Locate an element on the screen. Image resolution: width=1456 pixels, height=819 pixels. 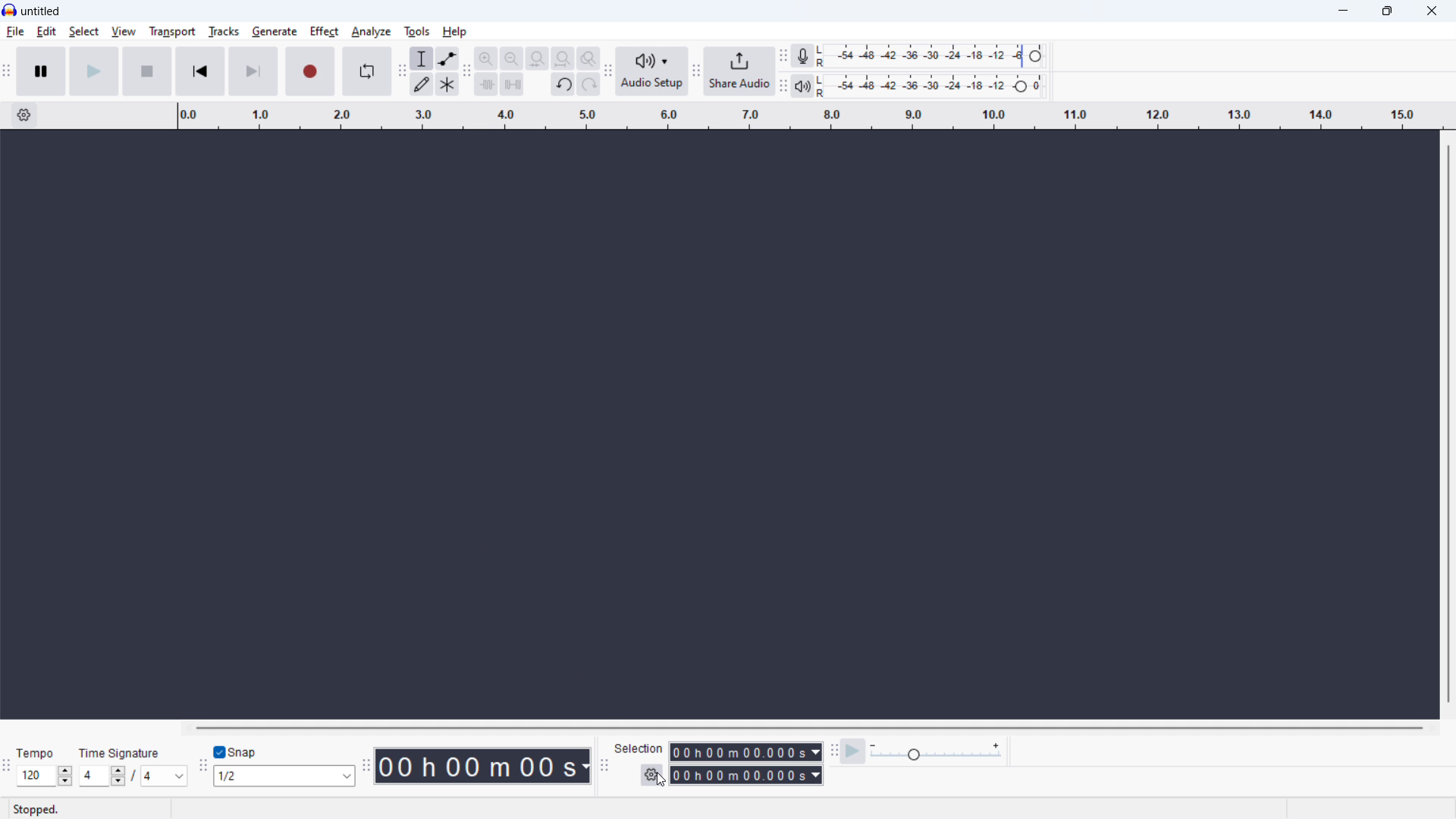
horizontal scrollbar is located at coordinates (807, 728).